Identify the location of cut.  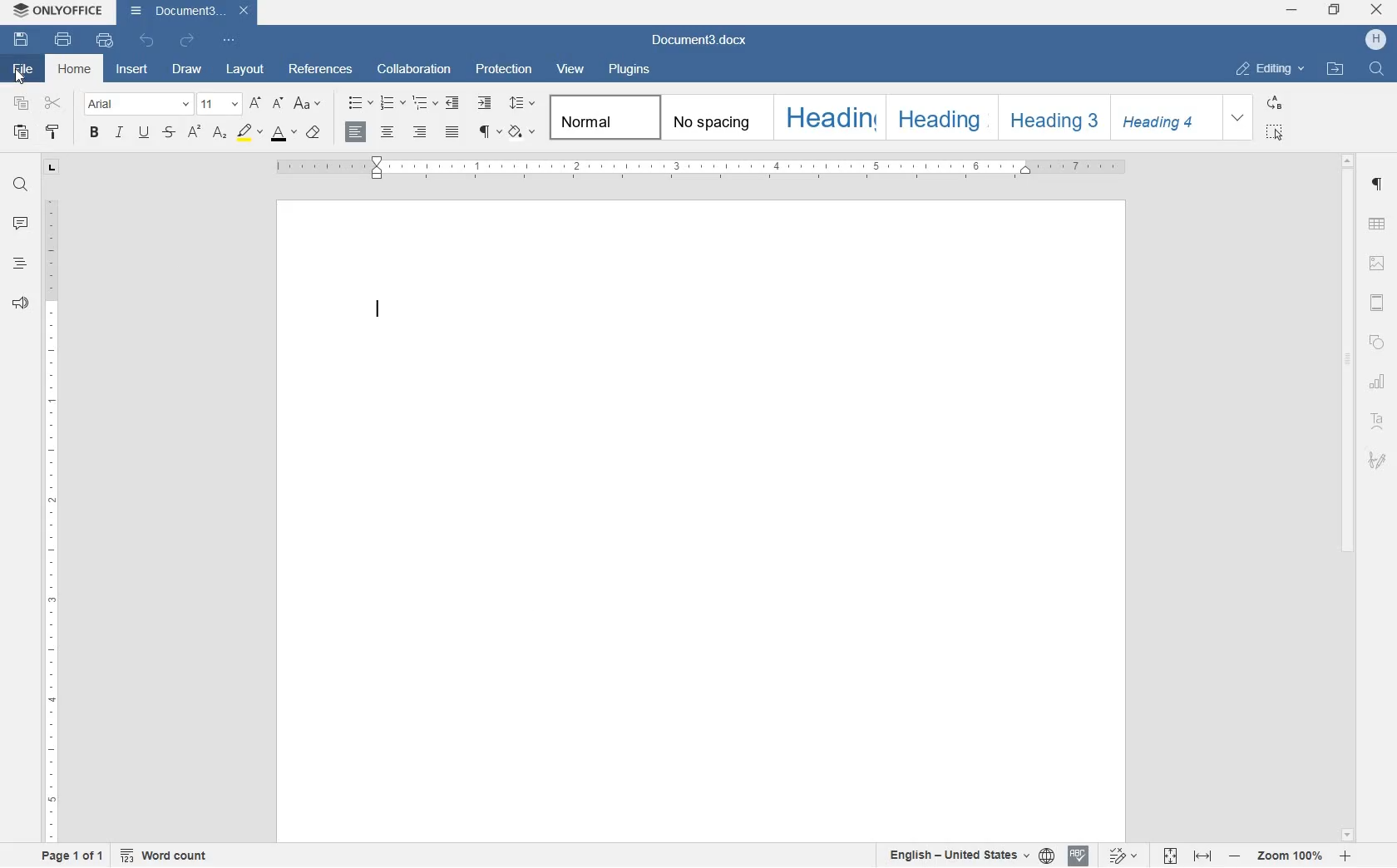
(55, 104).